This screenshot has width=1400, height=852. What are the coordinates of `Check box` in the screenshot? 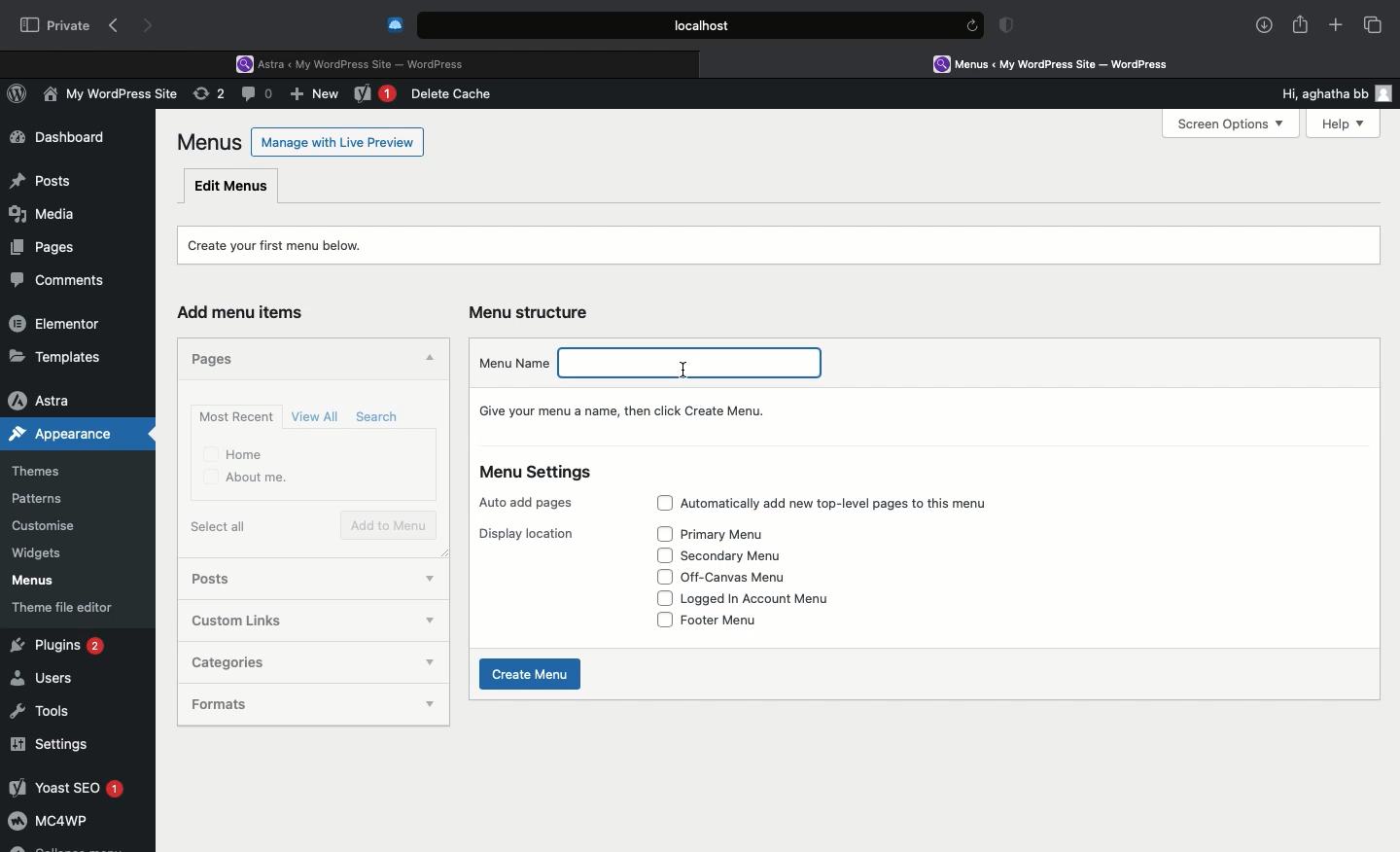 It's located at (663, 621).